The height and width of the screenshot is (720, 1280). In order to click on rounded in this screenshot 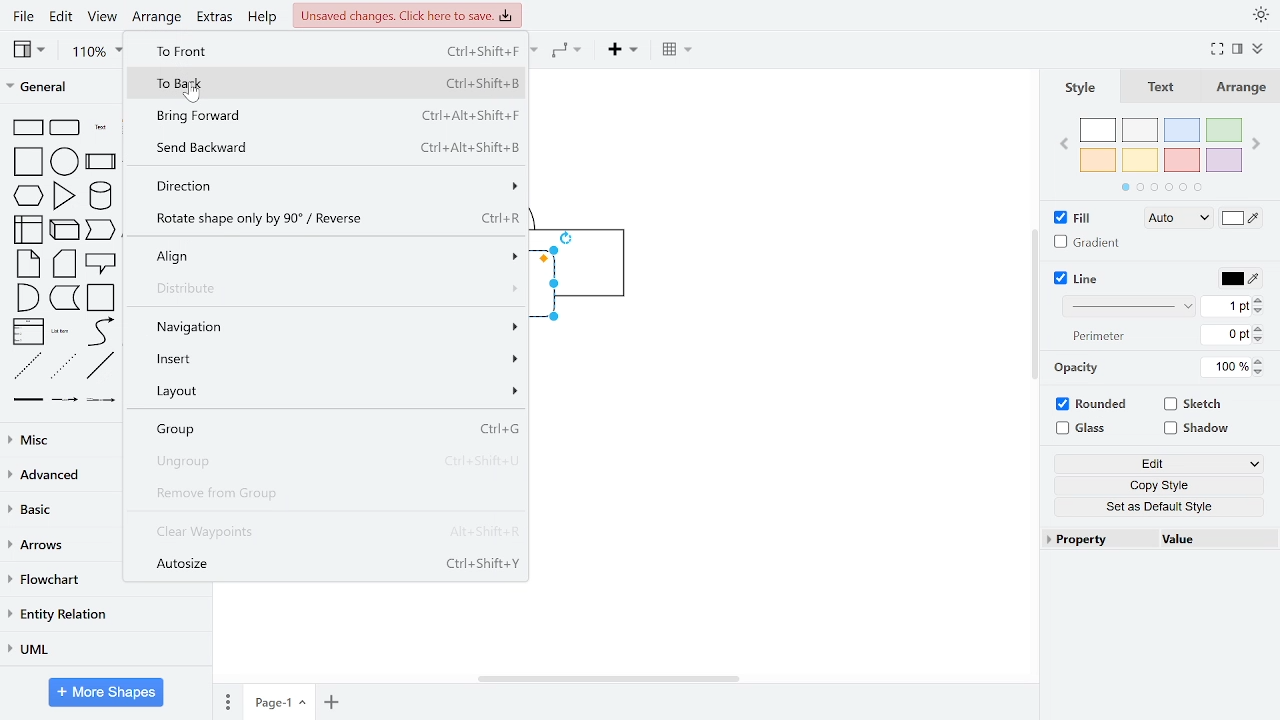, I will do `click(1091, 404)`.